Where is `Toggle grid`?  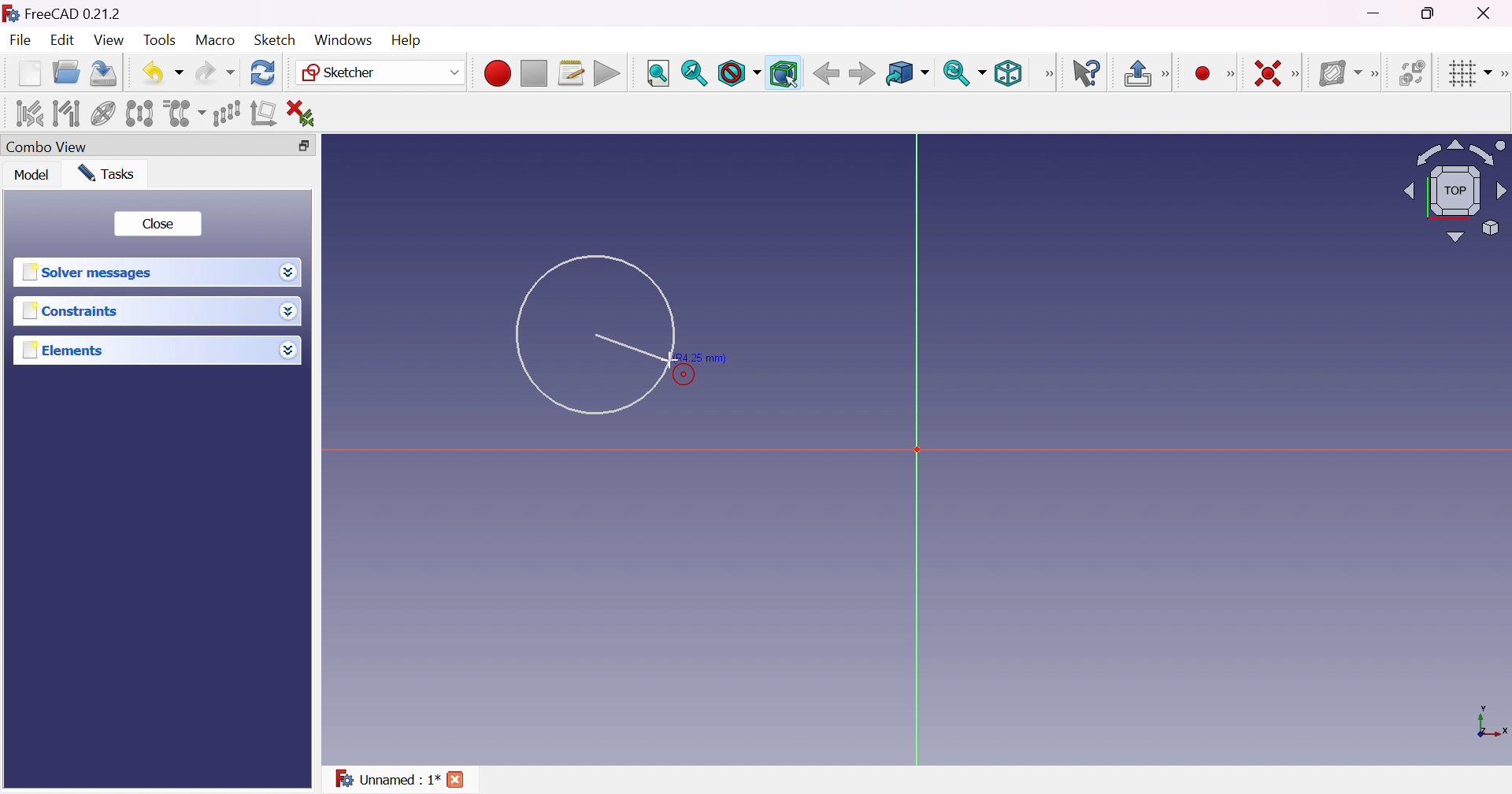
Toggle grid is located at coordinates (1469, 74).